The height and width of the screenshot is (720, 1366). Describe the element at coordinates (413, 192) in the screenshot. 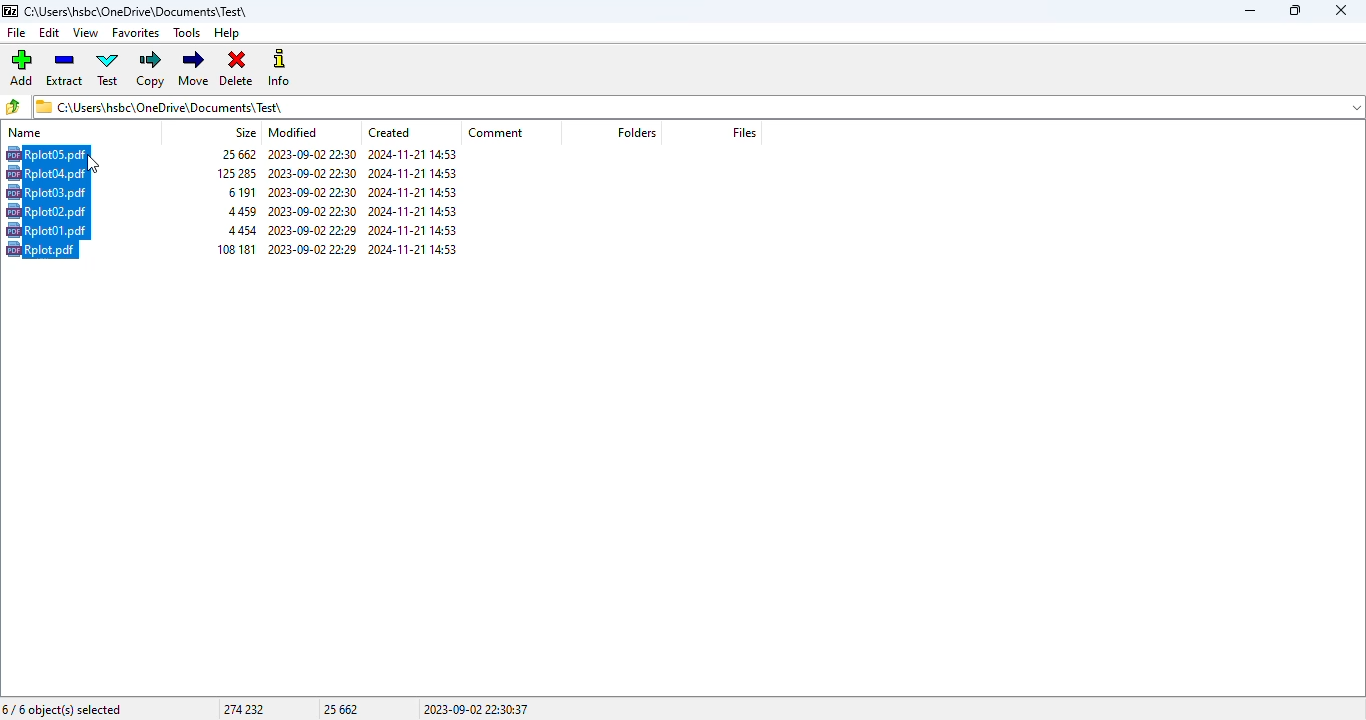

I see `created date & time` at that location.